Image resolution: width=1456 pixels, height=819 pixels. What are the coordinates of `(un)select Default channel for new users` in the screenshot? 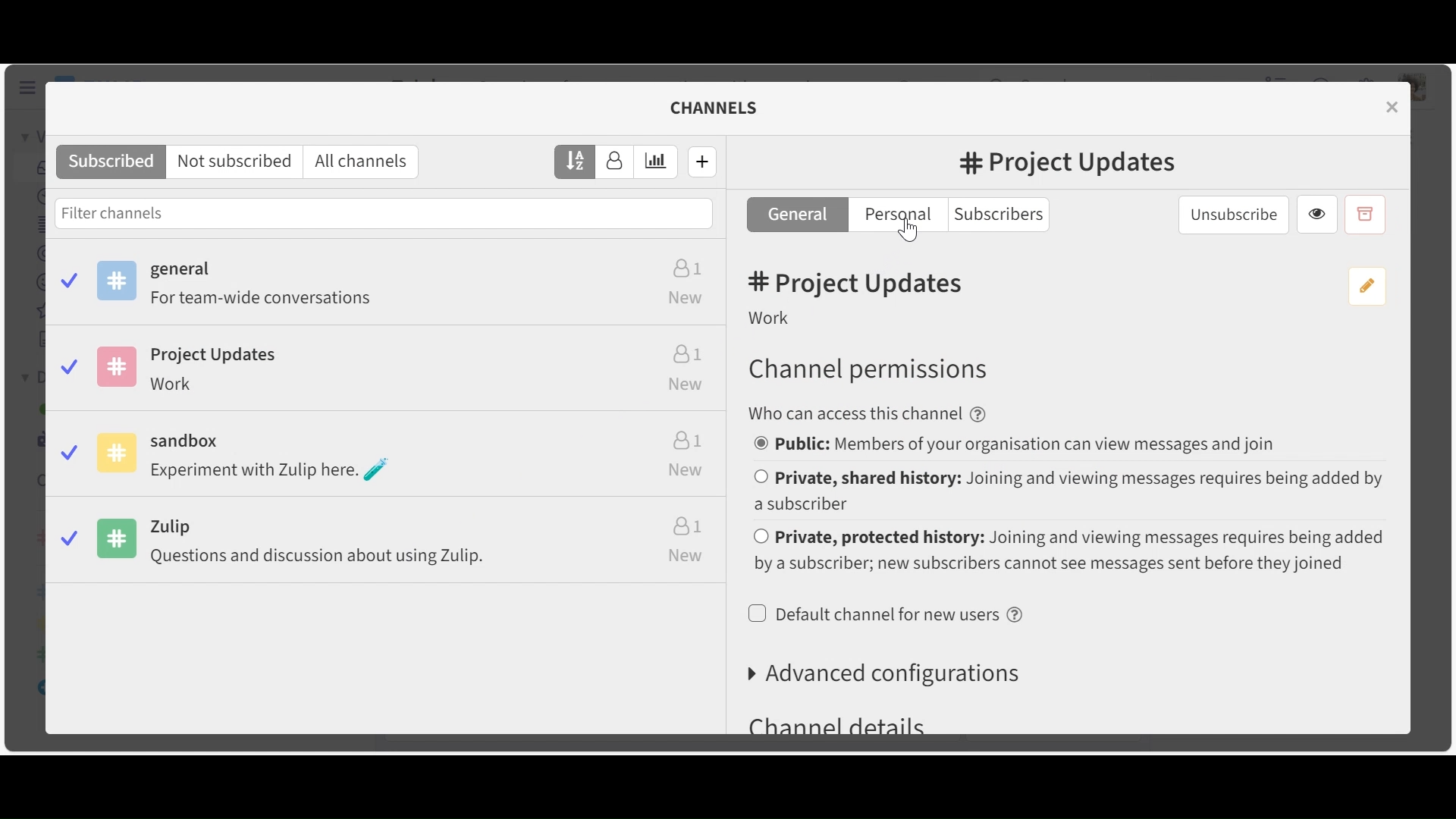 It's located at (888, 615).